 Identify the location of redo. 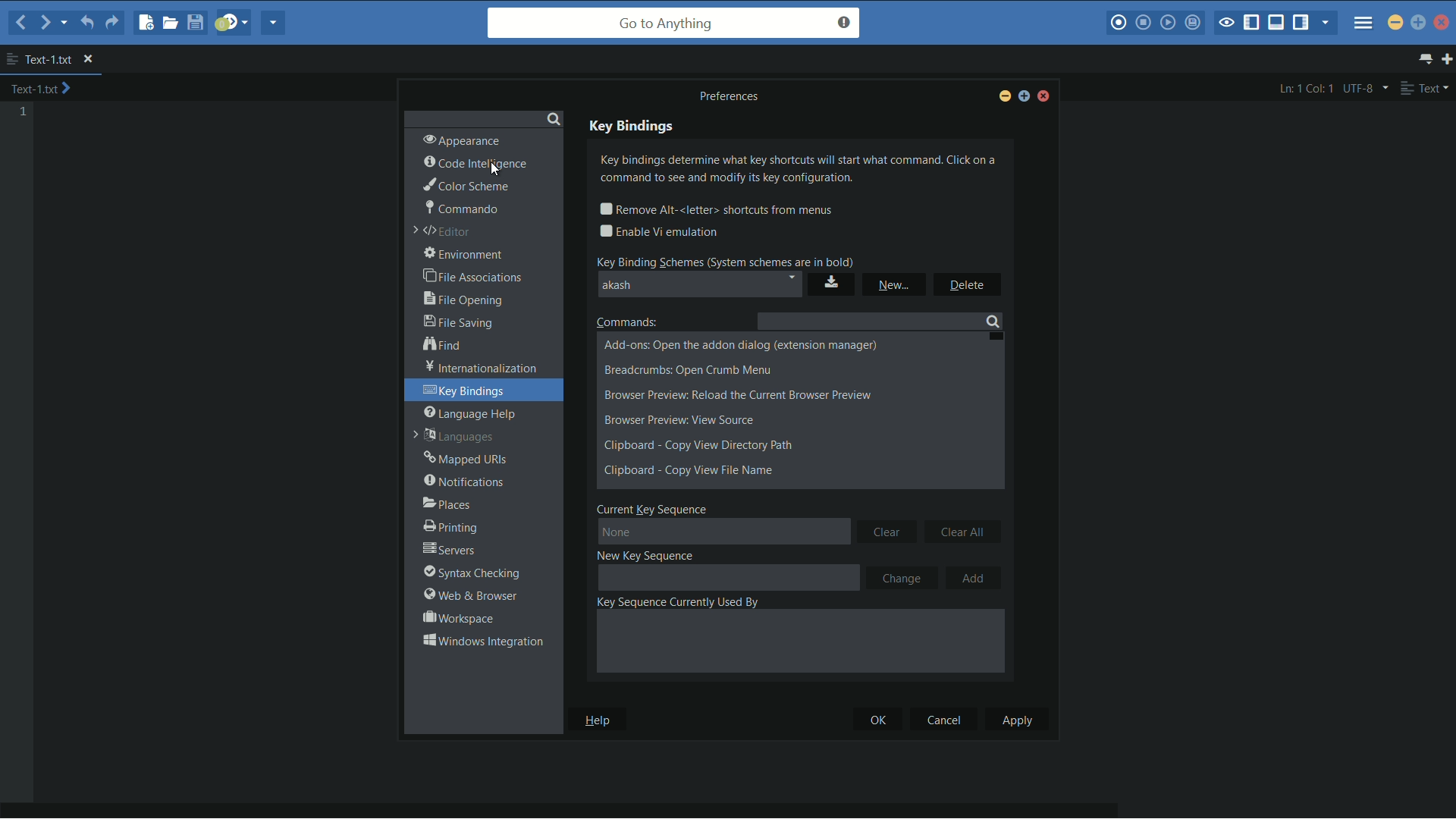
(111, 25).